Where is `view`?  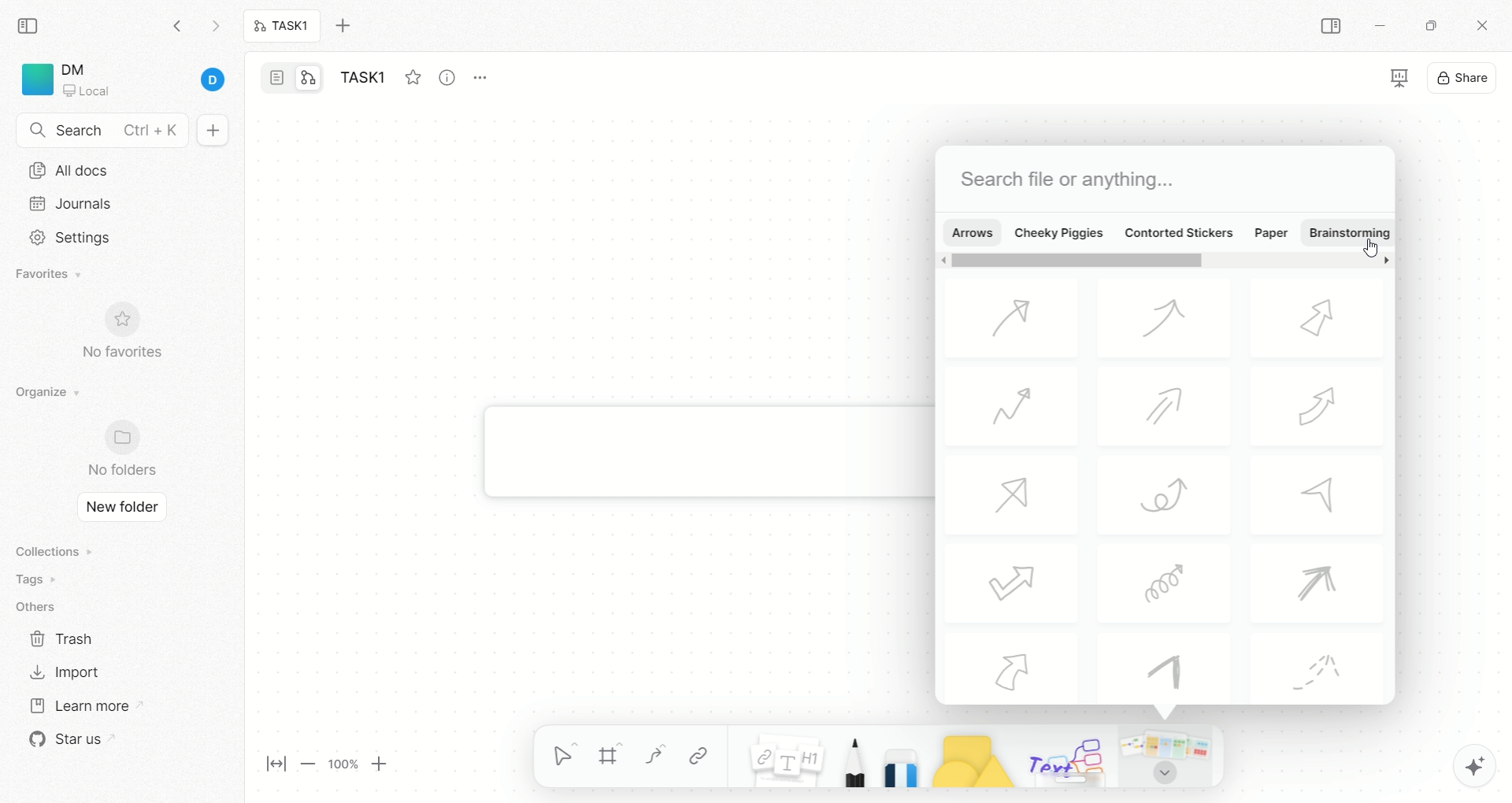 view is located at coordinates (1386, 80).